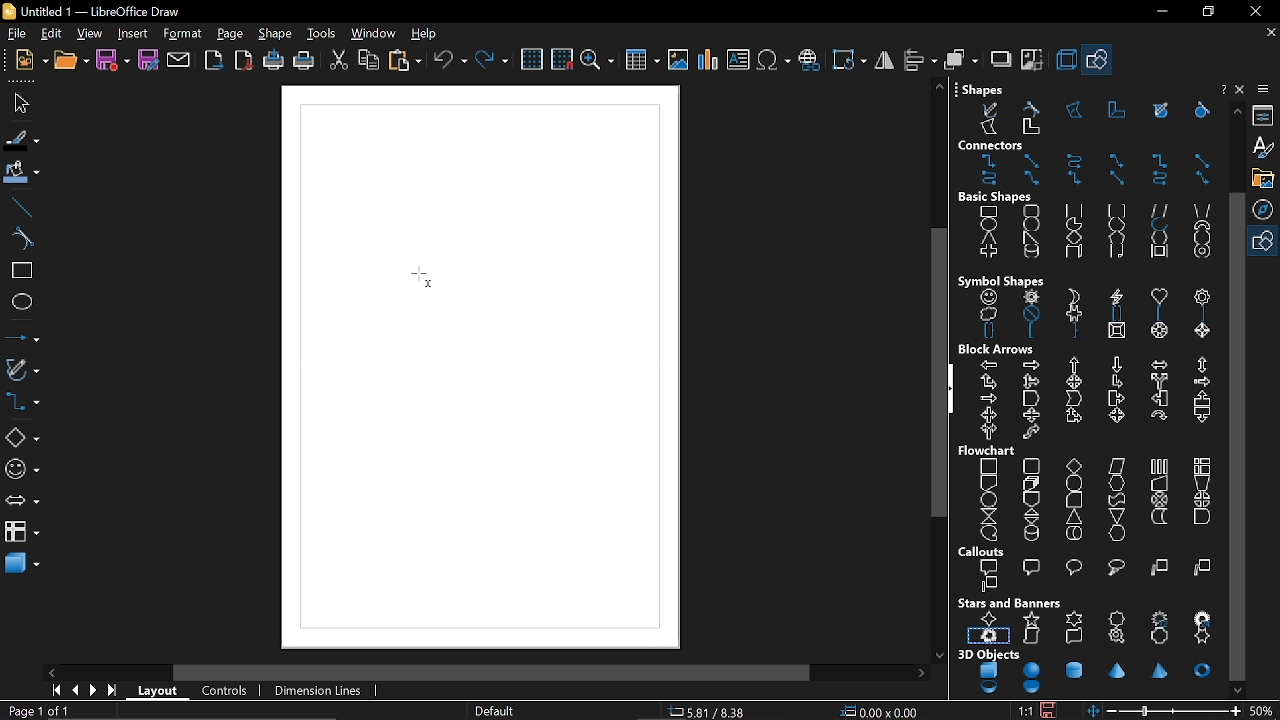  What do you see at coordinates (534, 60) in the screenshot?
I see `grid` at bounding box center [534, 60].